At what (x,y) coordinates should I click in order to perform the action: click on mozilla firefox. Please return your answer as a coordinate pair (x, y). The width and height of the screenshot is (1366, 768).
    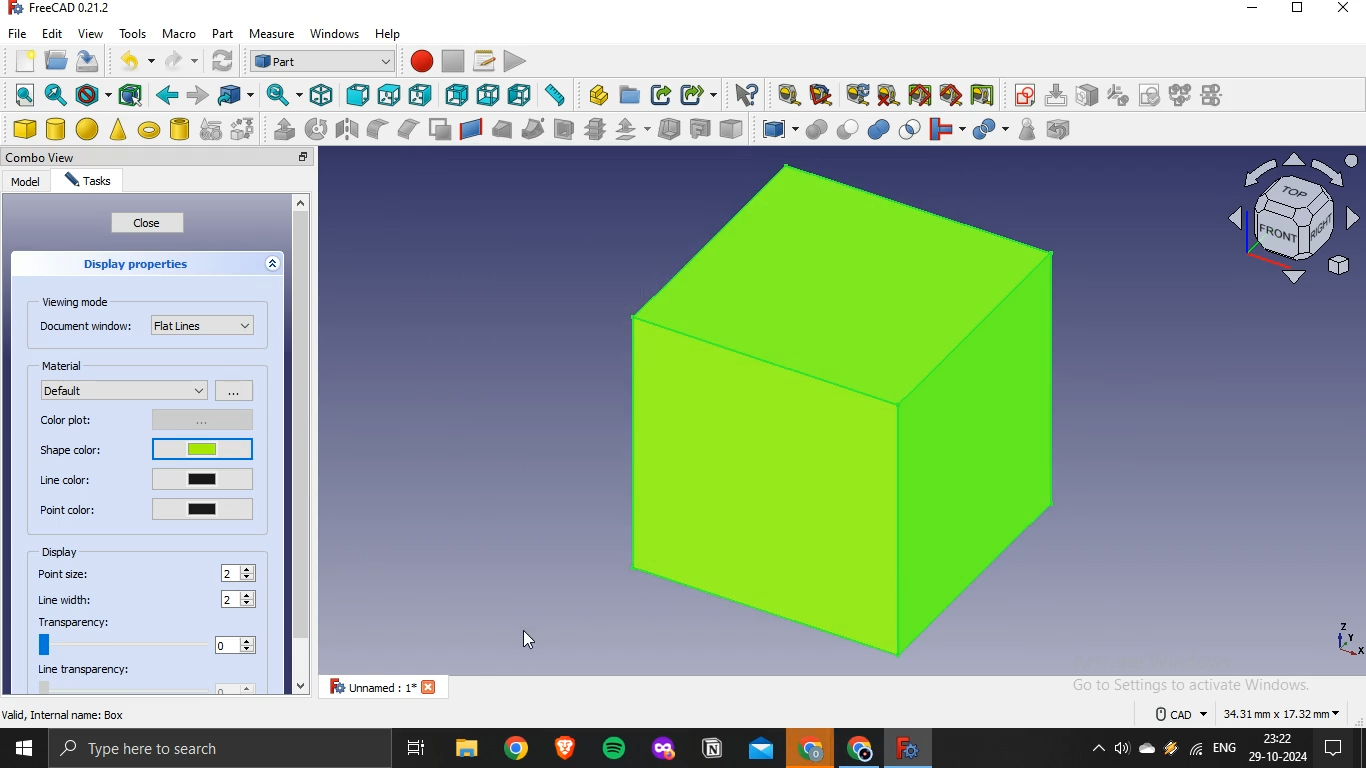
    Looking at the image, I should click on (664, 751).